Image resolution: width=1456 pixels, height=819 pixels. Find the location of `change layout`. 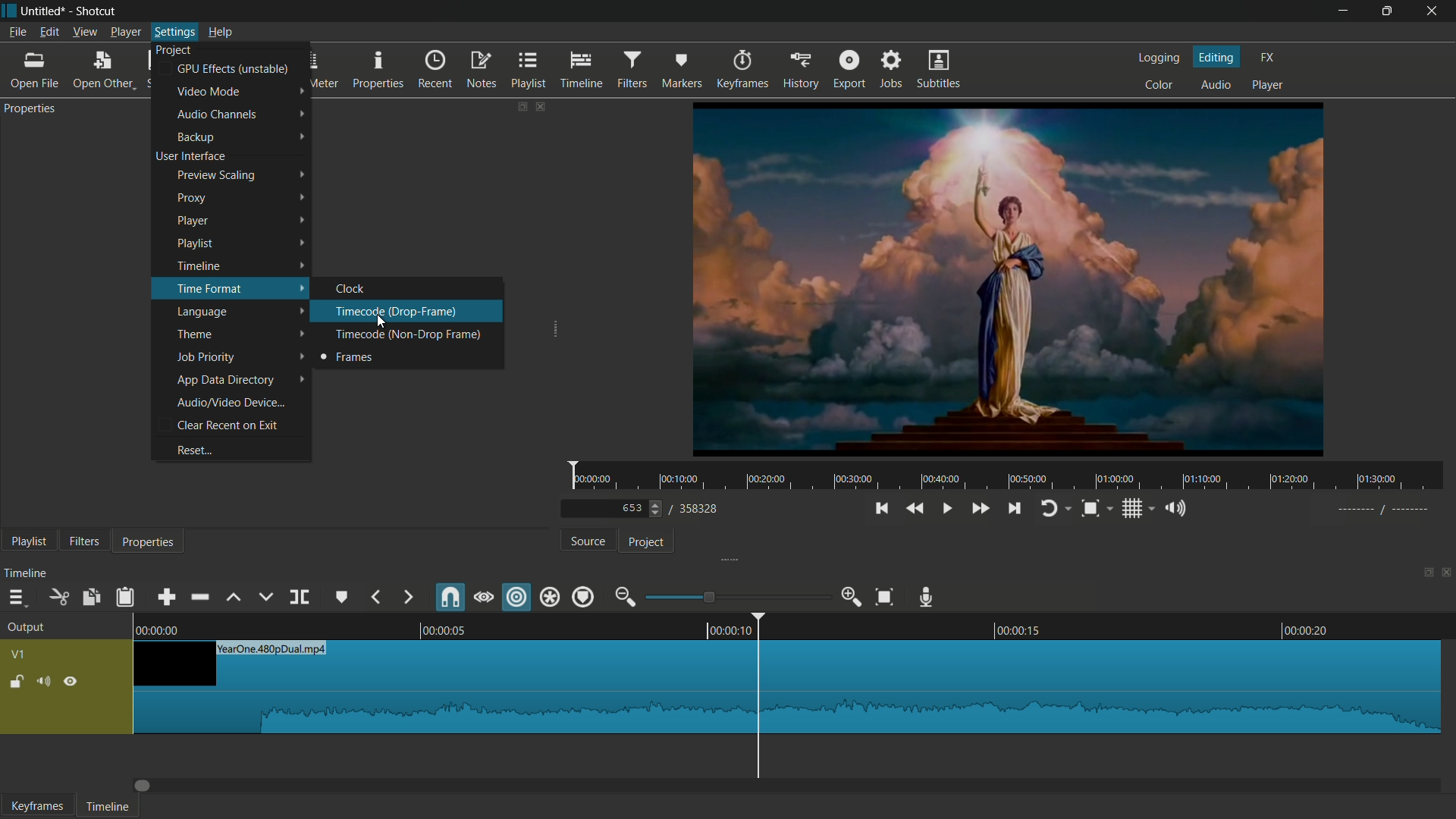

change layout is located at coordinates (1423, 573).